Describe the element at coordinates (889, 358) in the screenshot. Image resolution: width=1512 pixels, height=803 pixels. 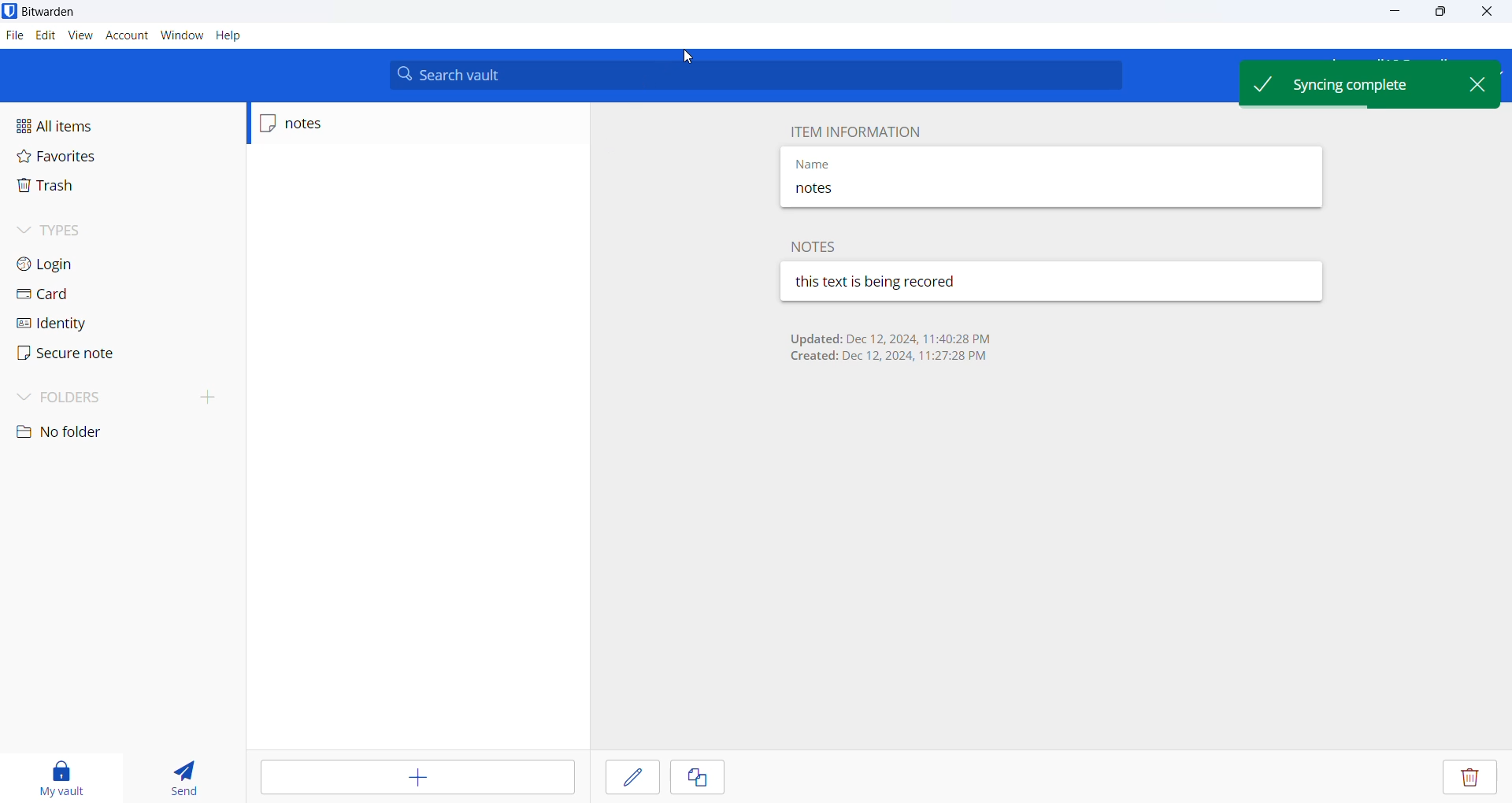
I see `created: Dec 12, 2024 11:27:29 PM` at that location.